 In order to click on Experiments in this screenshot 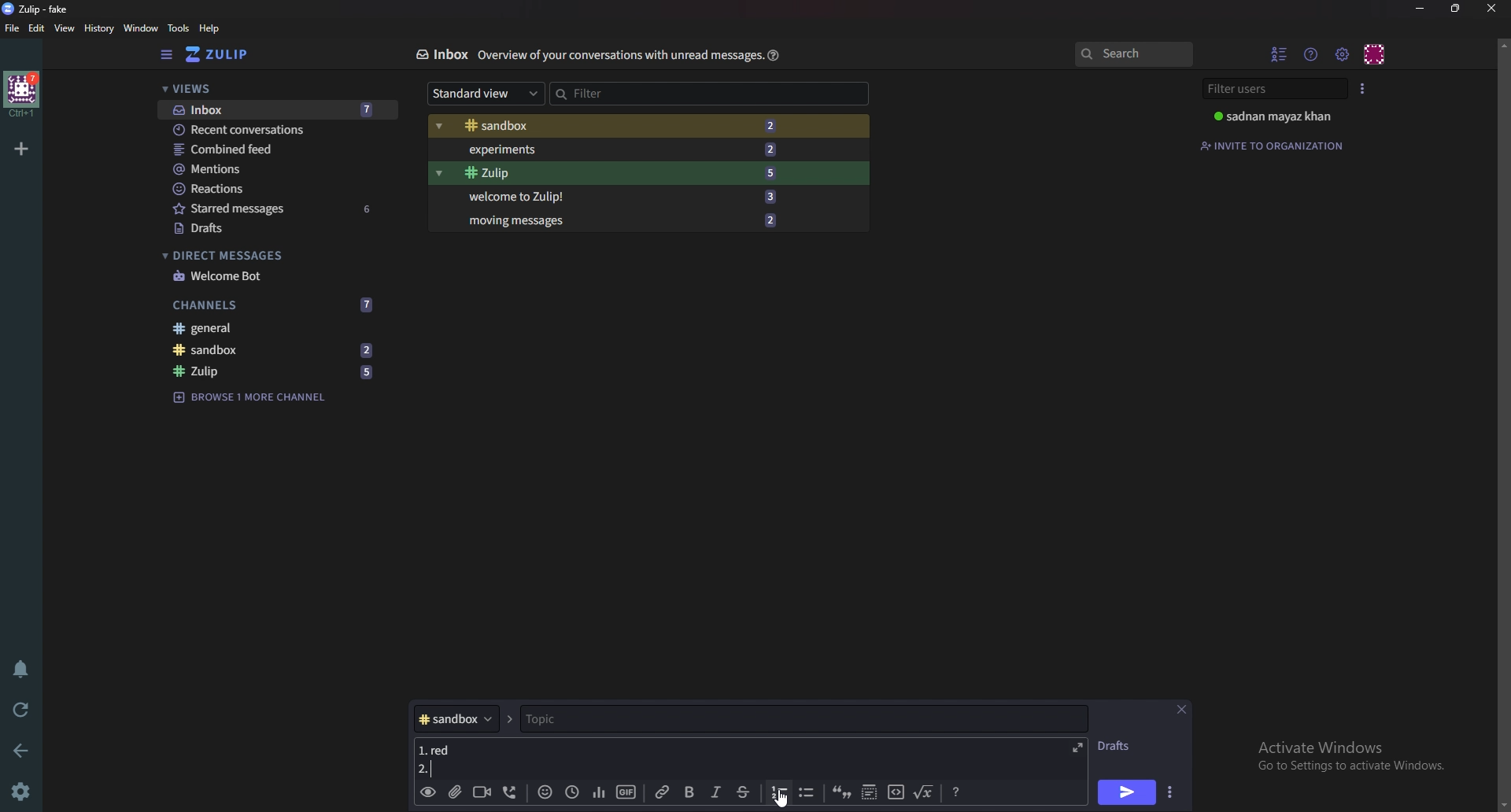, I will do `click(622, 149)`.